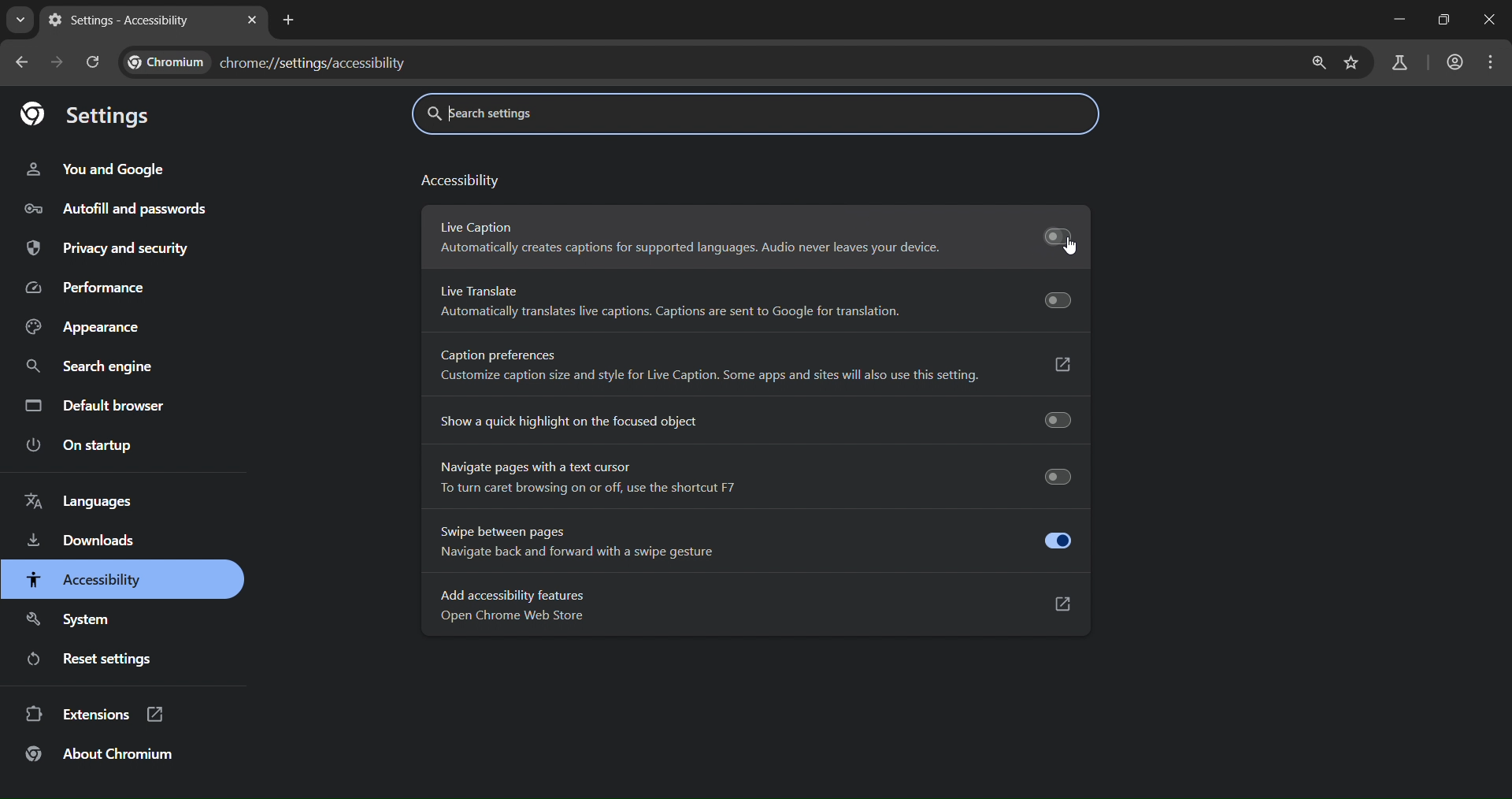 The image size is (1512, 799). I want to click on languages, so click(80, 503).